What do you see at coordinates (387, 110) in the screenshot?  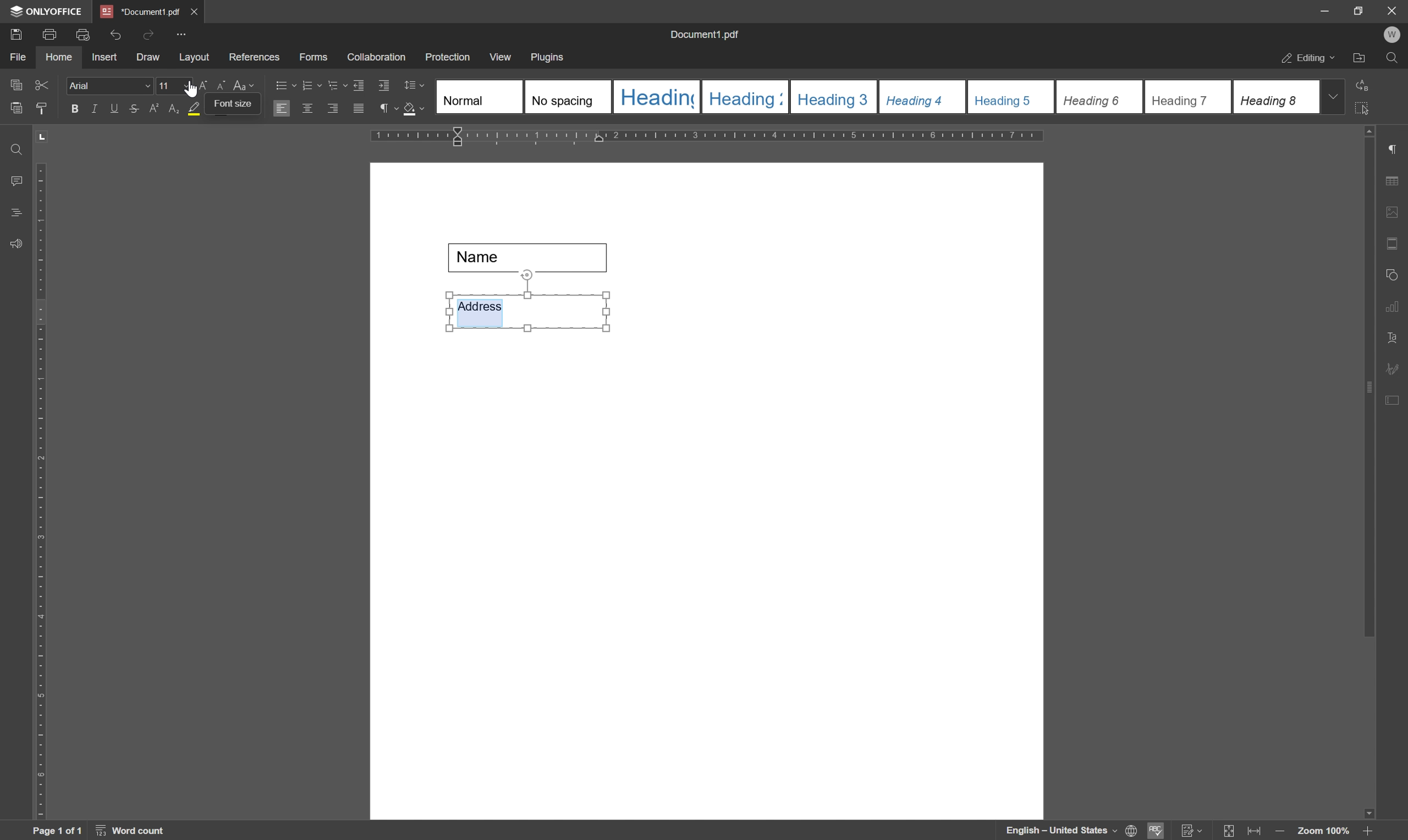 I see `non printing characters` at bounding box center [387, 110].